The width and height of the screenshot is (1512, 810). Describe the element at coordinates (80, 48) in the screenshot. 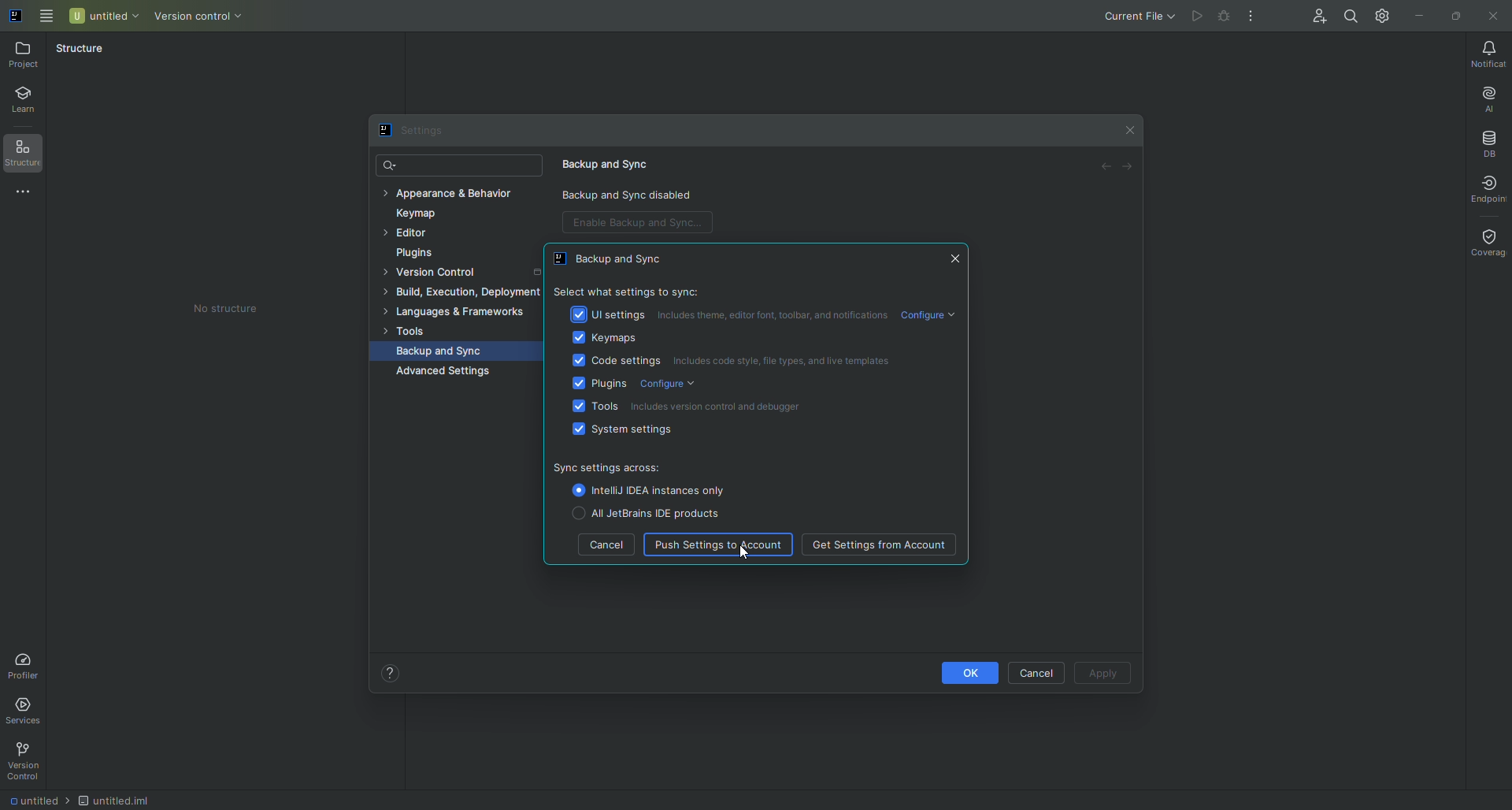

I see `Structure` at that location.